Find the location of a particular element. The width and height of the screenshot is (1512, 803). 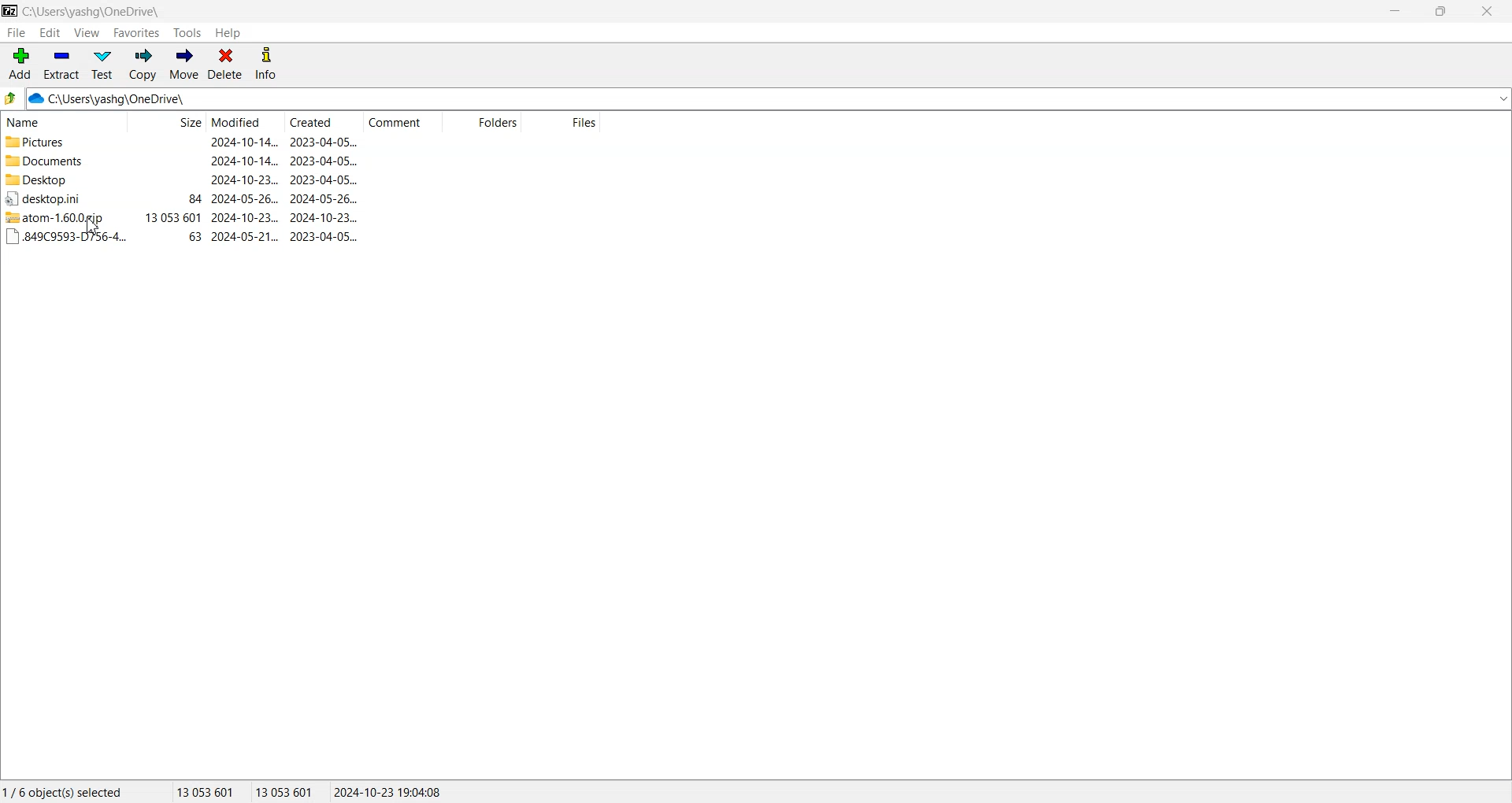

Maximize is located at coordinates (1440, 11).